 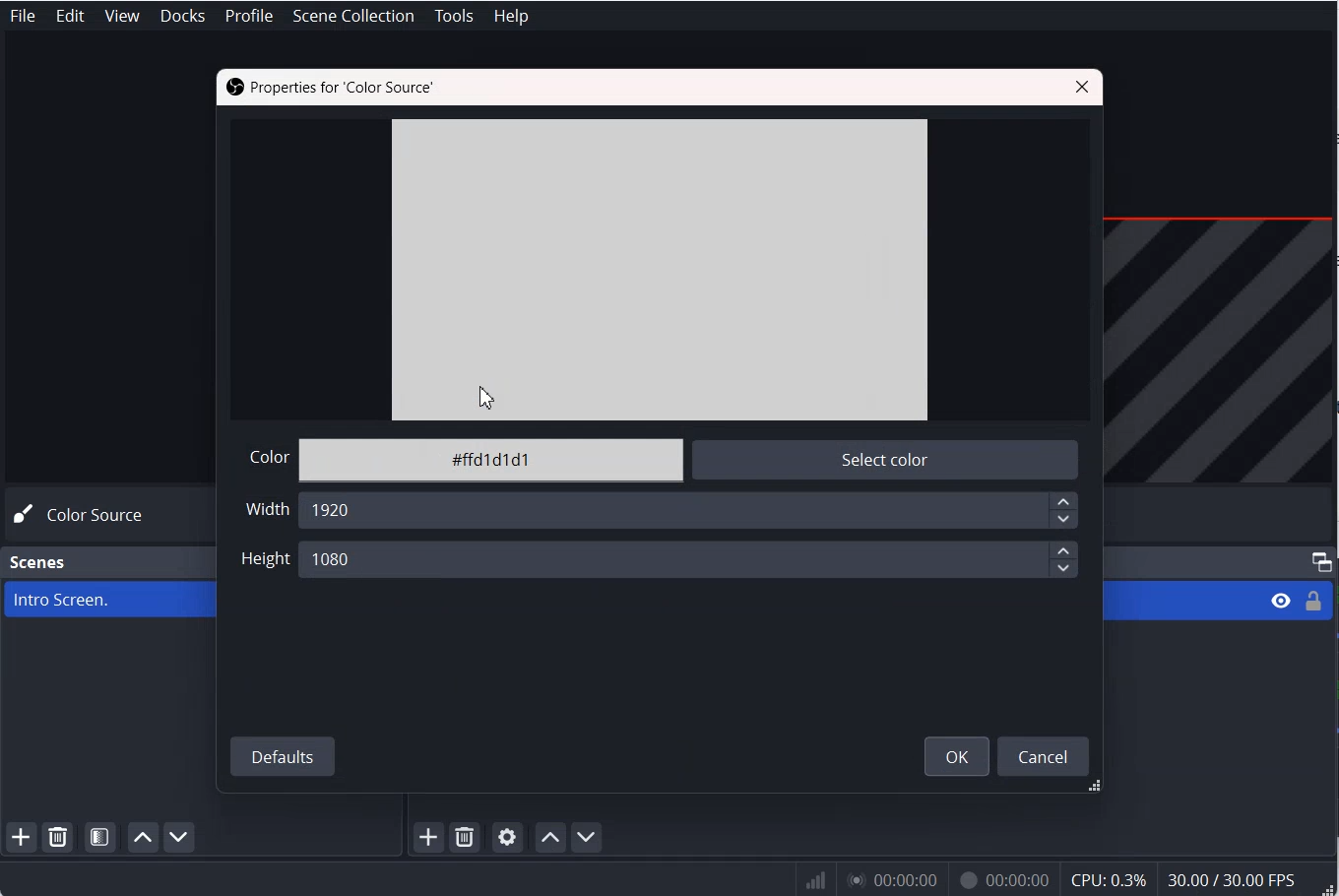 What do you see at coordinates (181, 838) in the screenshot?
I see `Move Scene Down` at bounding box center [181, 838].